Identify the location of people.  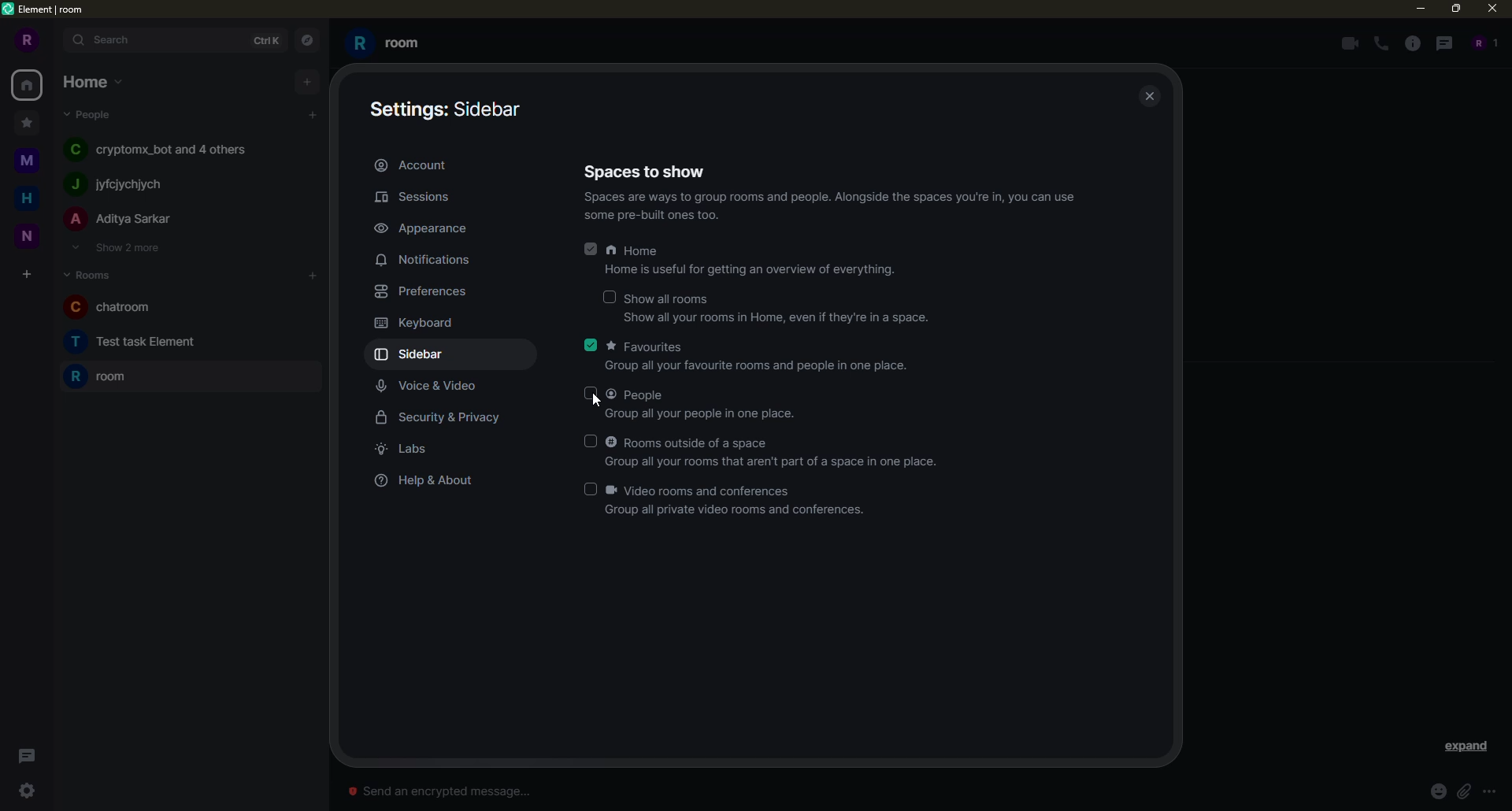
(639, 395).